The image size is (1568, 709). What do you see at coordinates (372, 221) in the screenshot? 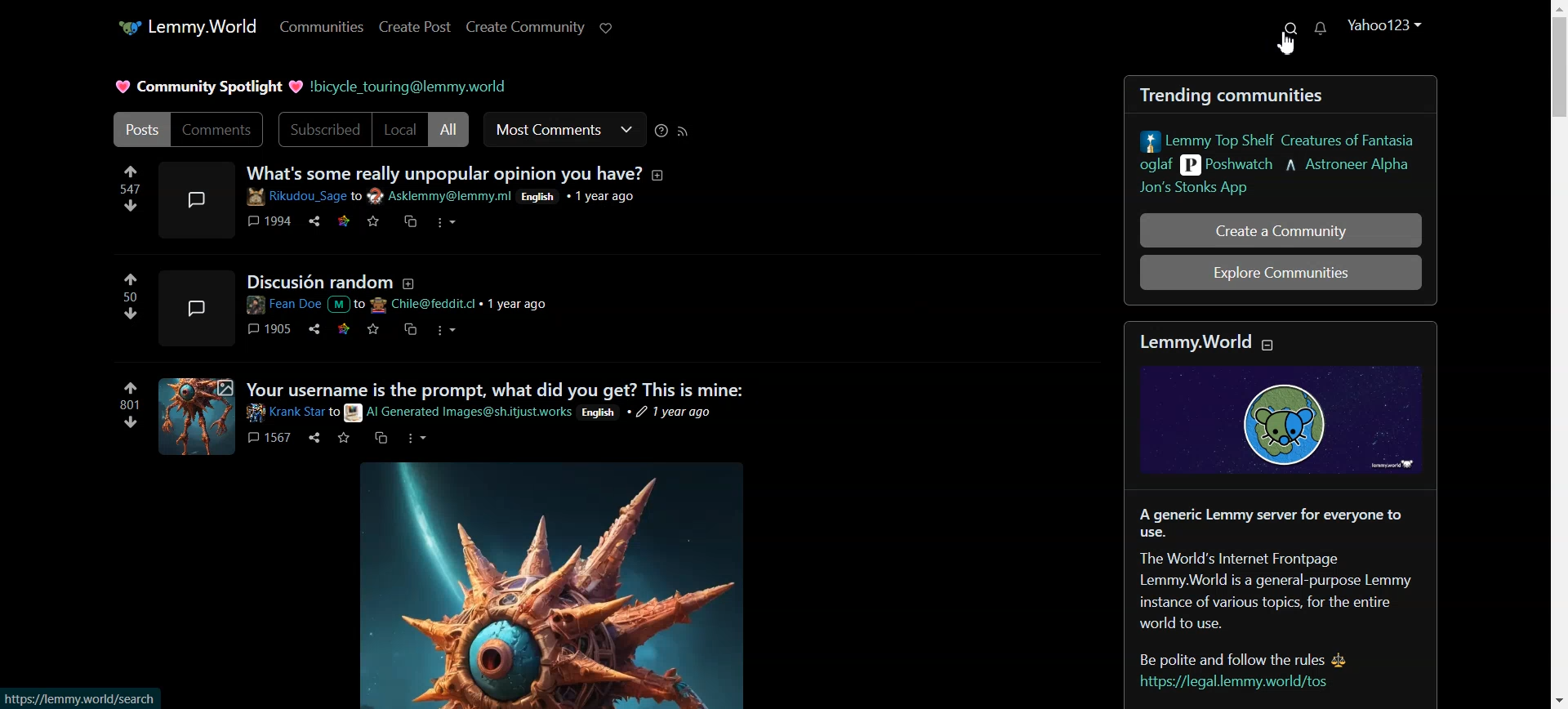
I see `mark` at bounding box center [372, 221].